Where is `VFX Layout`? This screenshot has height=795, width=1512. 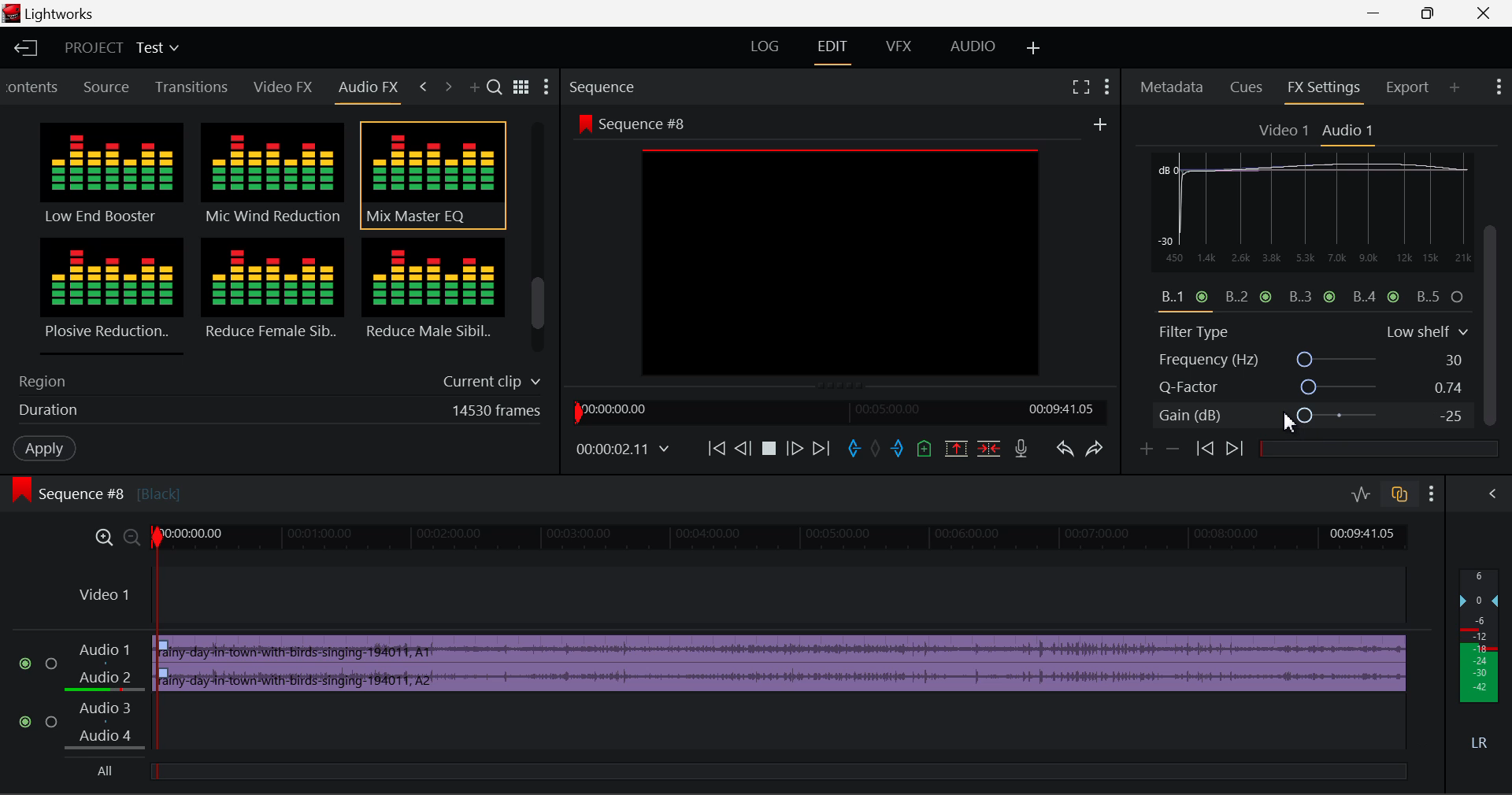 VFX Layout is located at coordinates (902, 50).